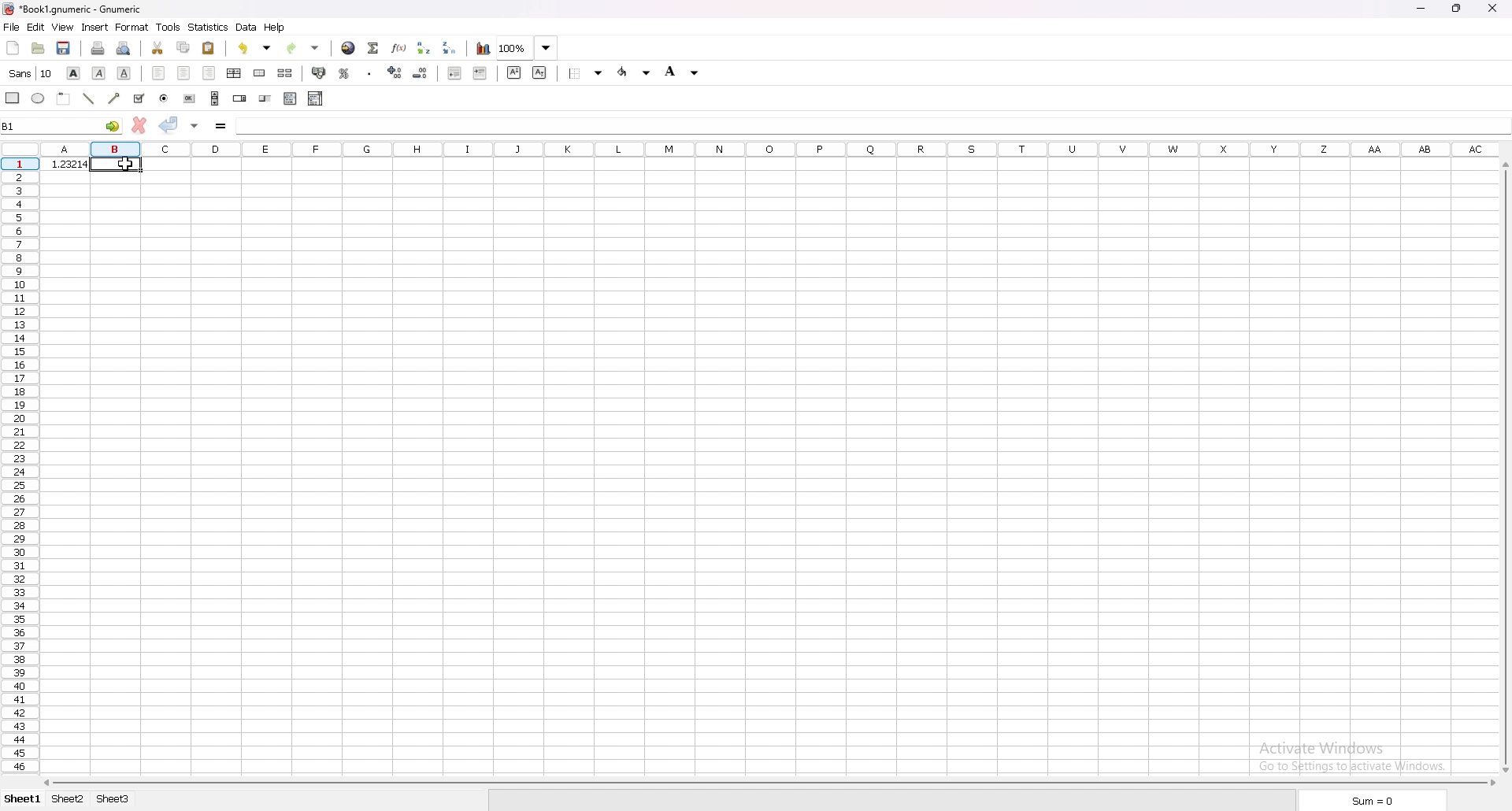 Image resolution: width=1512 pixels, height=811 pixels. Describe the element at coordinates (1458, 7) in the screenshot. I see `resize` at that location.